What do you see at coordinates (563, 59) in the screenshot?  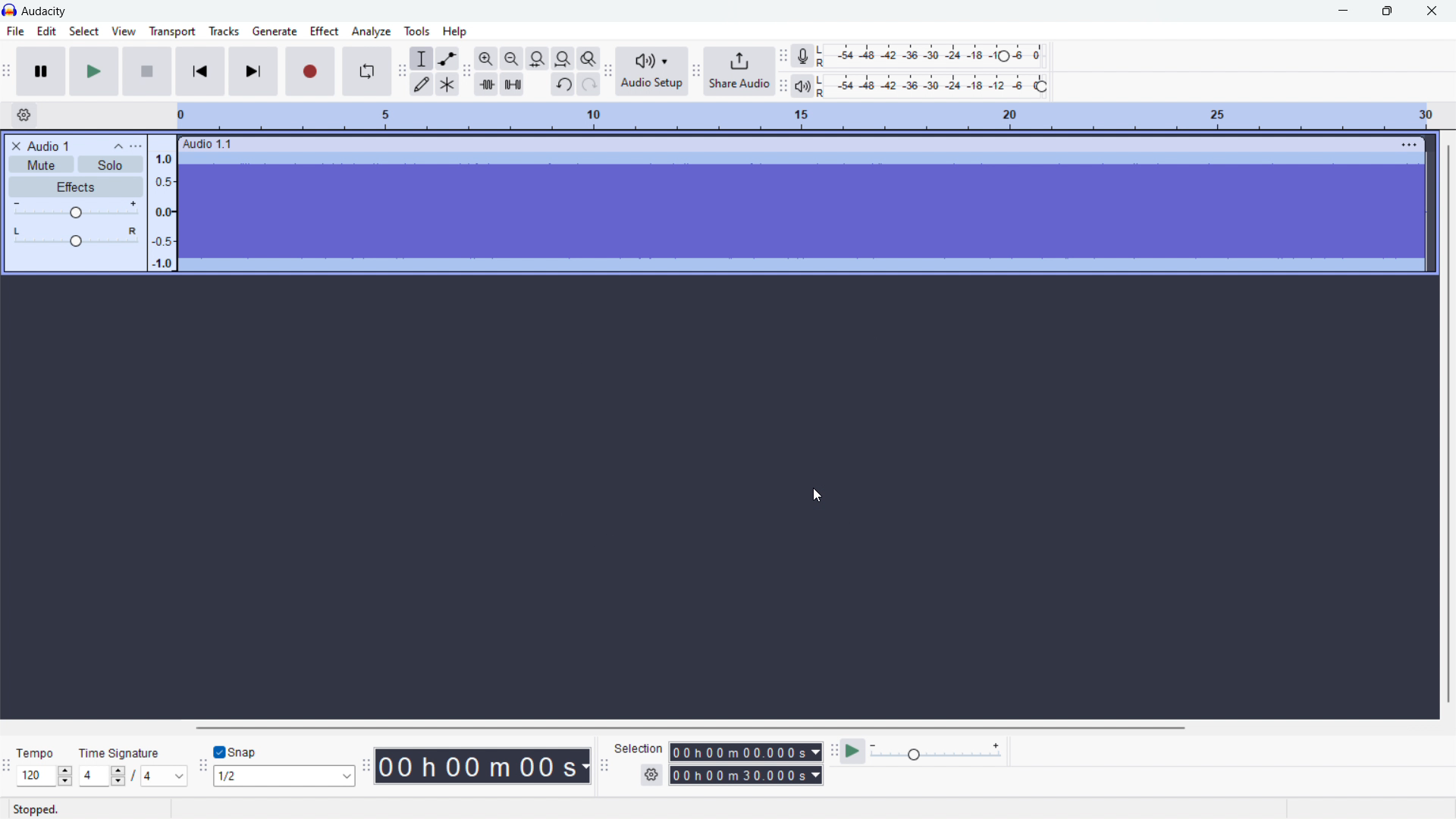 I see `fit project to width` at bounding box center [563, 59].